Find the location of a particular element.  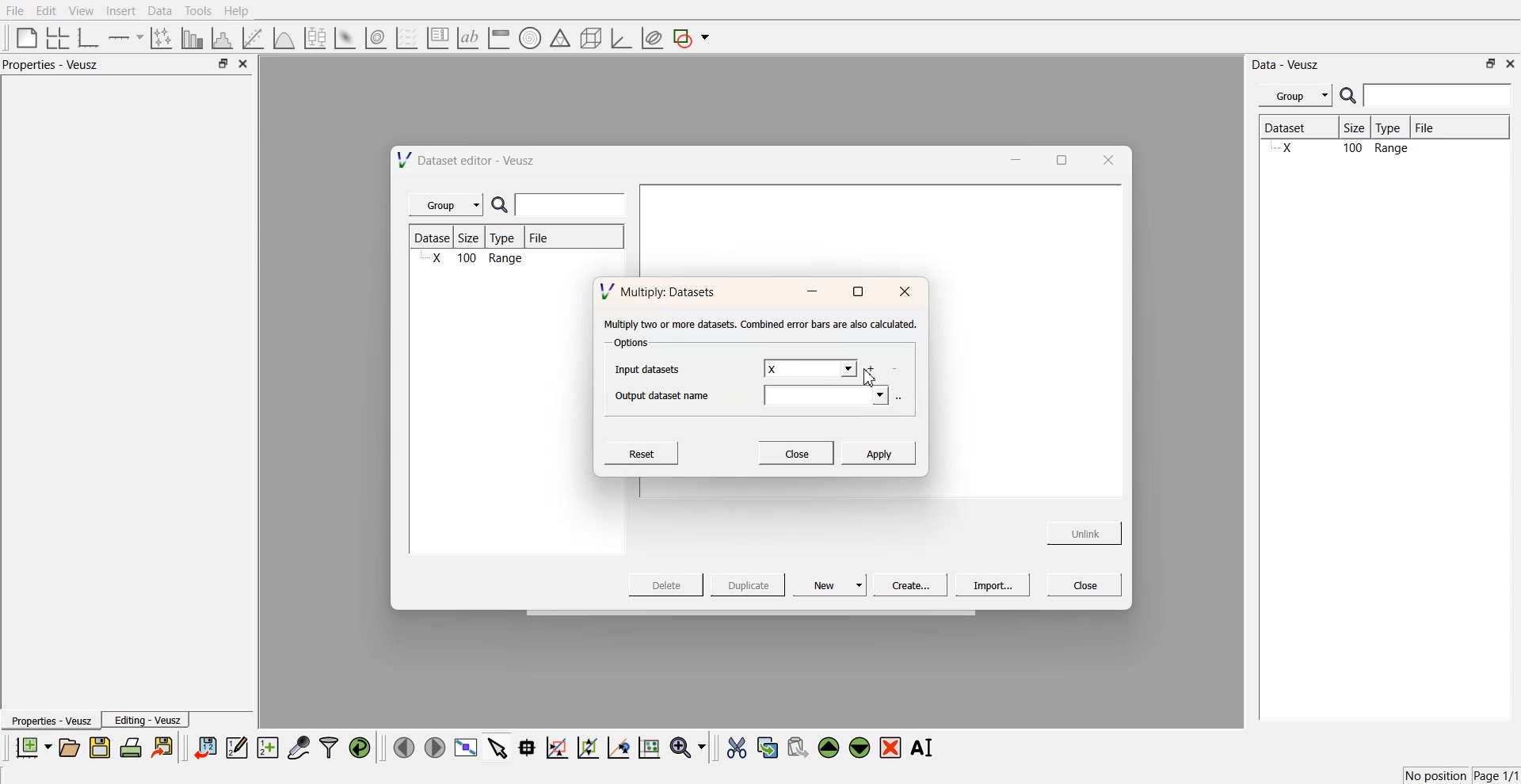

plot a 2d datasets as image is located at coordinates (344, 37).